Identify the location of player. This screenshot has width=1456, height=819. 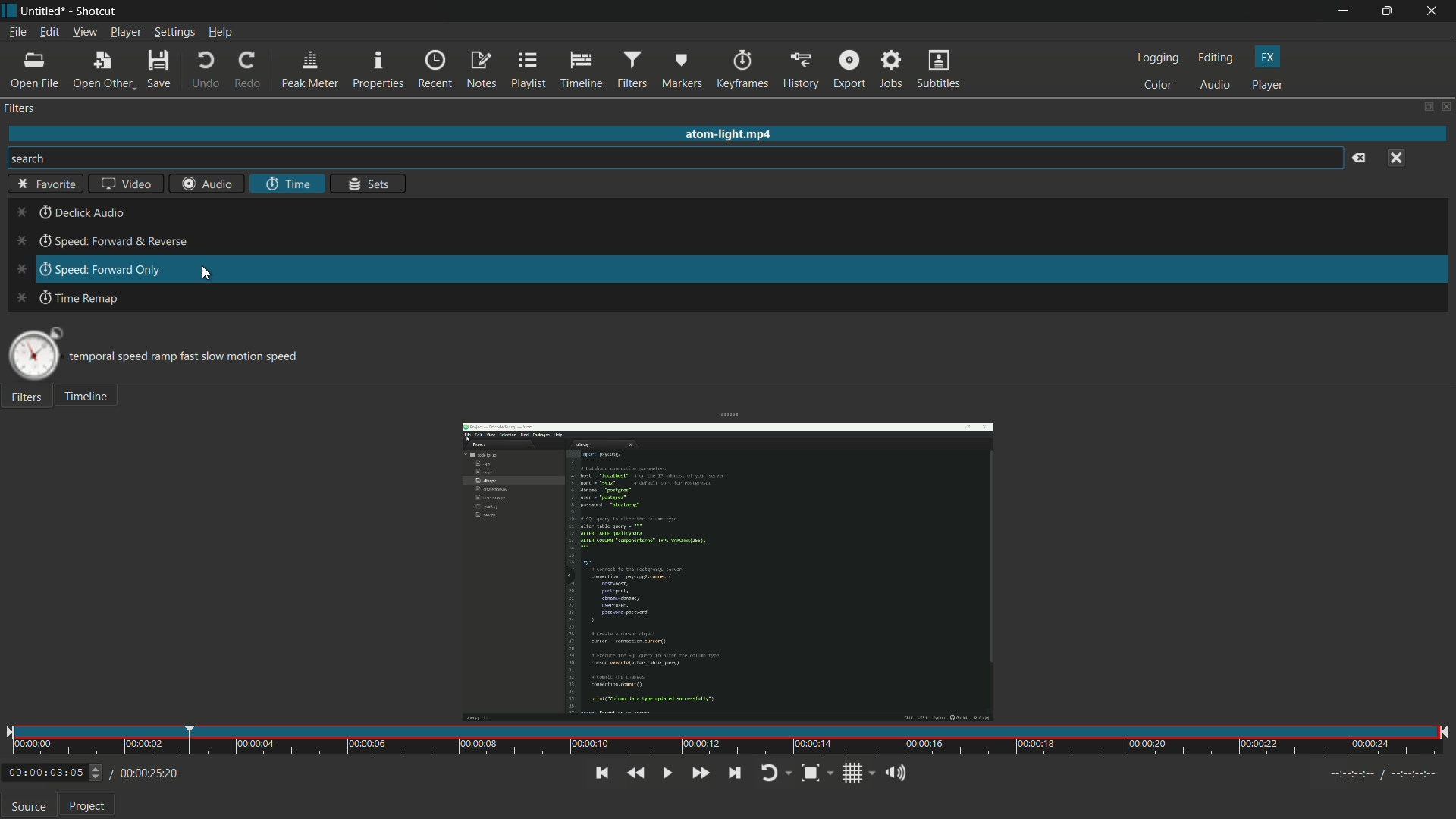
(1267, 86).